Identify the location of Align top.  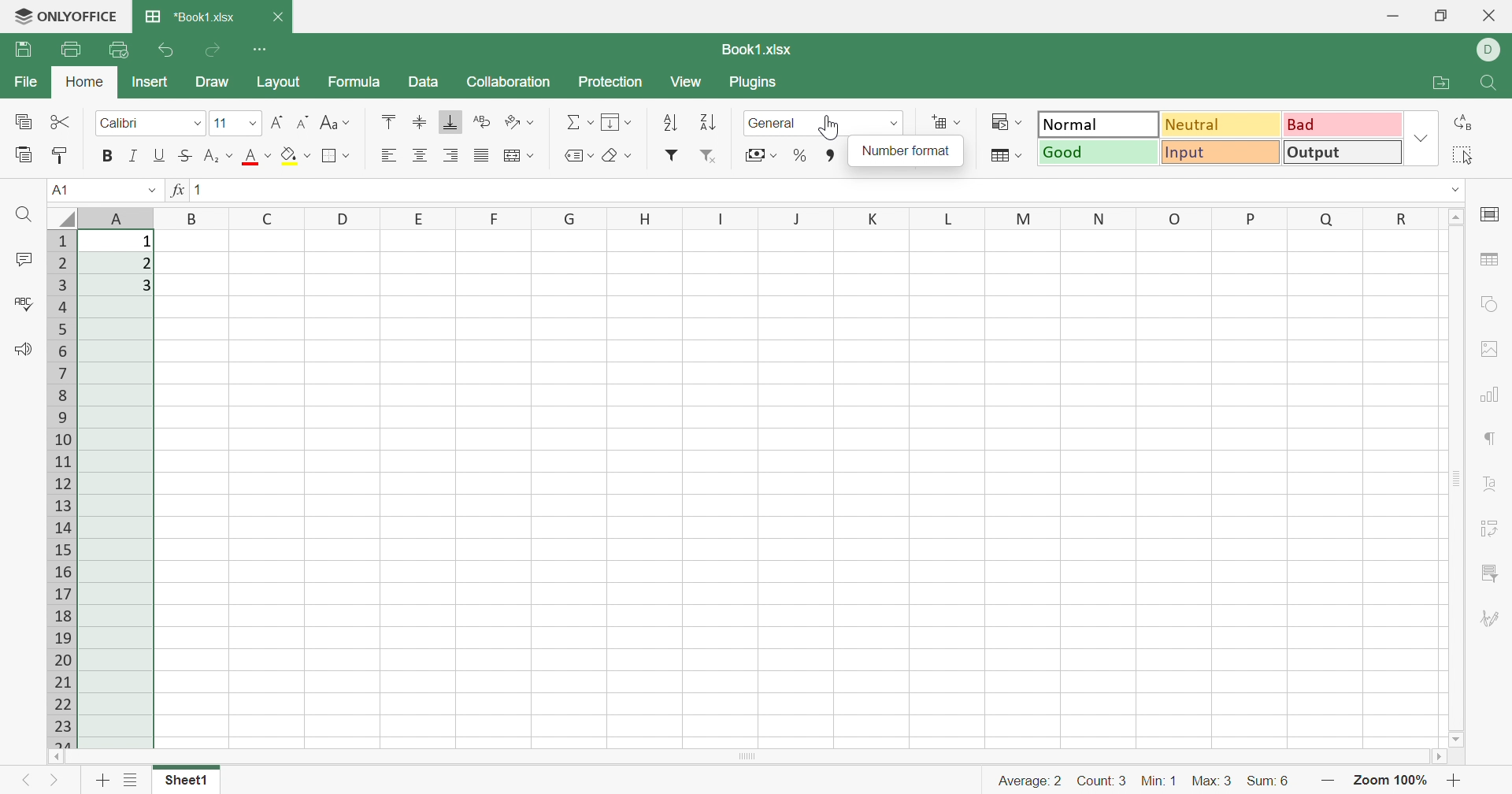
(388, 120).